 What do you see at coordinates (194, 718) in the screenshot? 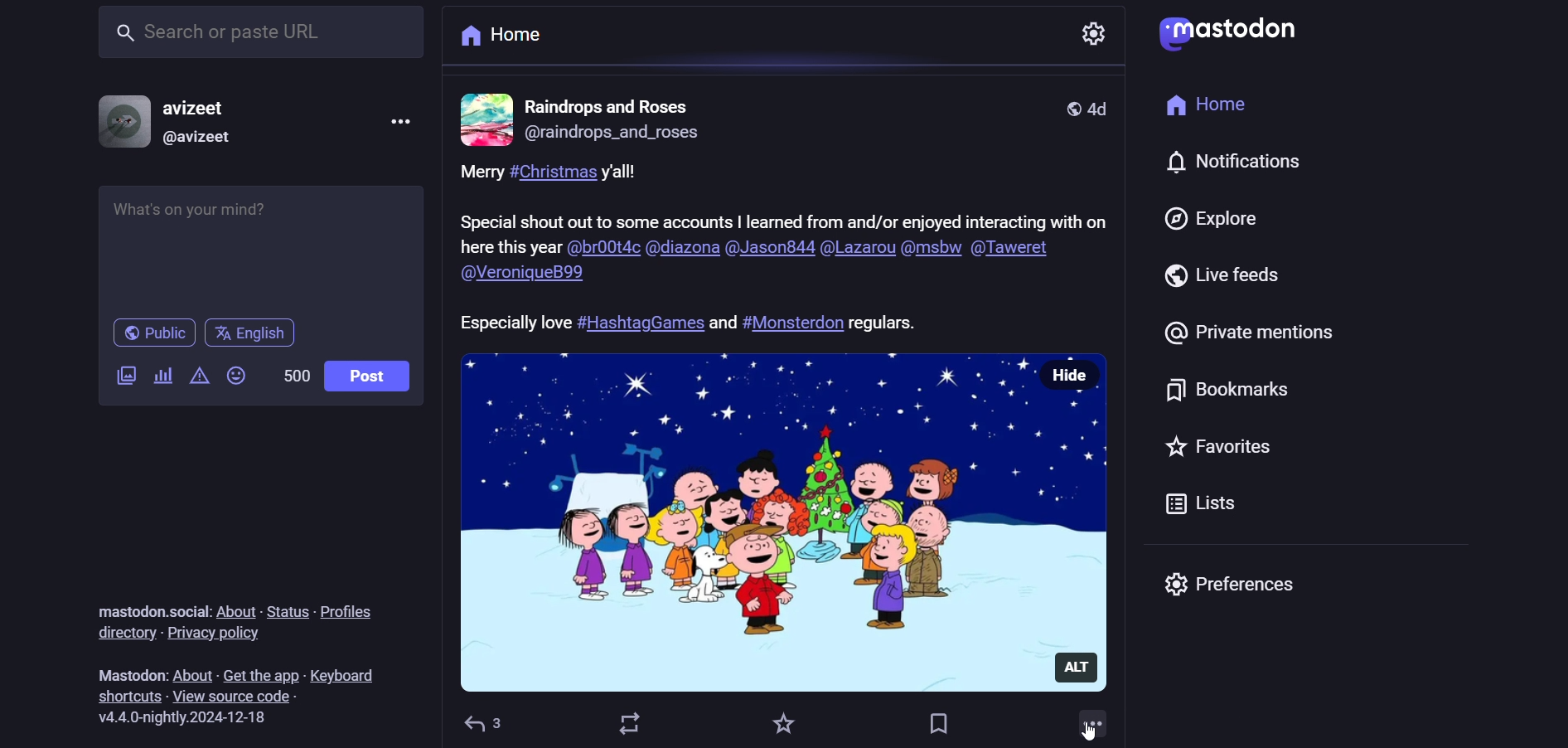
I see `version` at bounding box center [194, 718].